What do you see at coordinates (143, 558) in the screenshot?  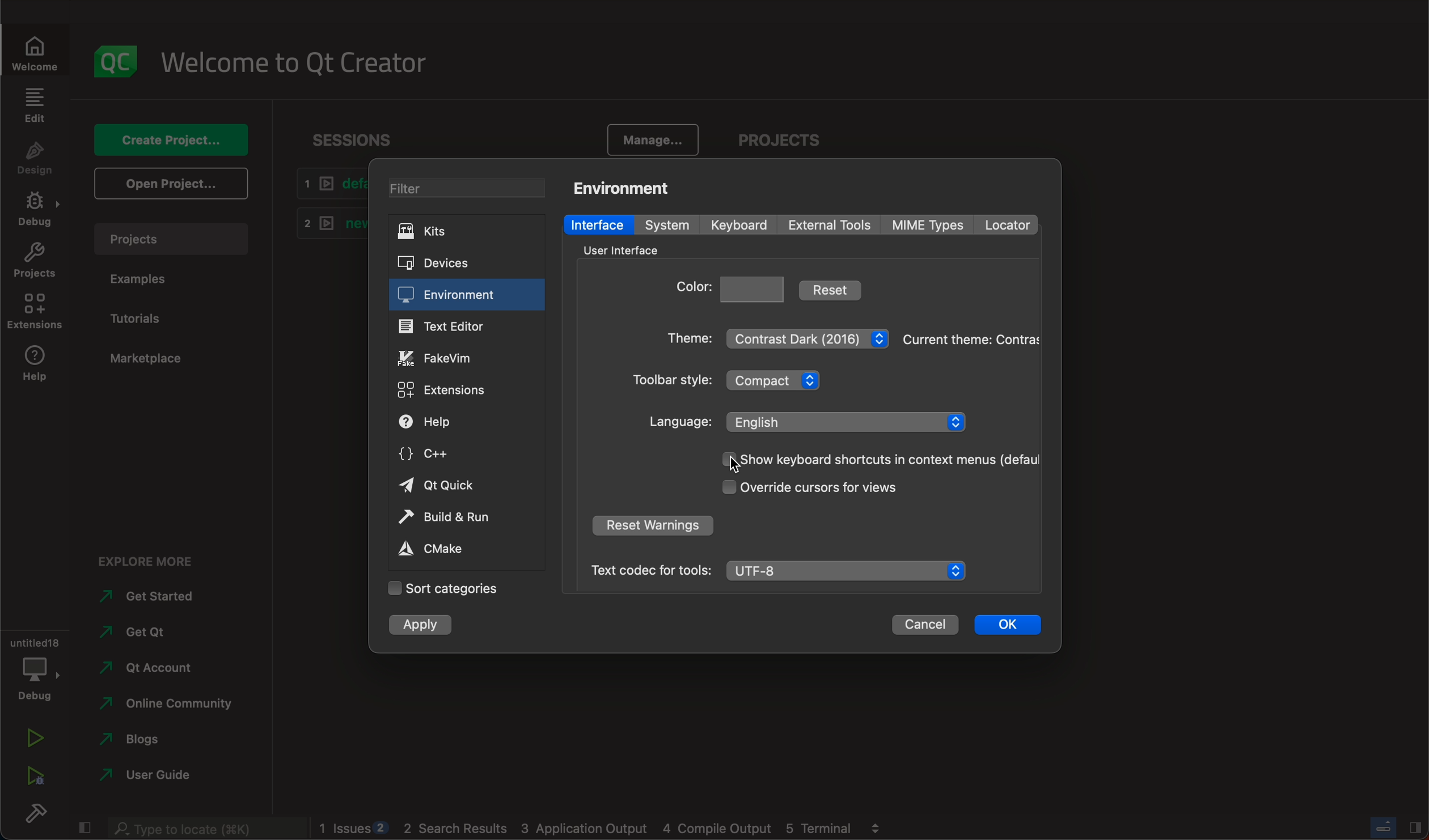 I see `explore more` at bounding box center [143, 558].